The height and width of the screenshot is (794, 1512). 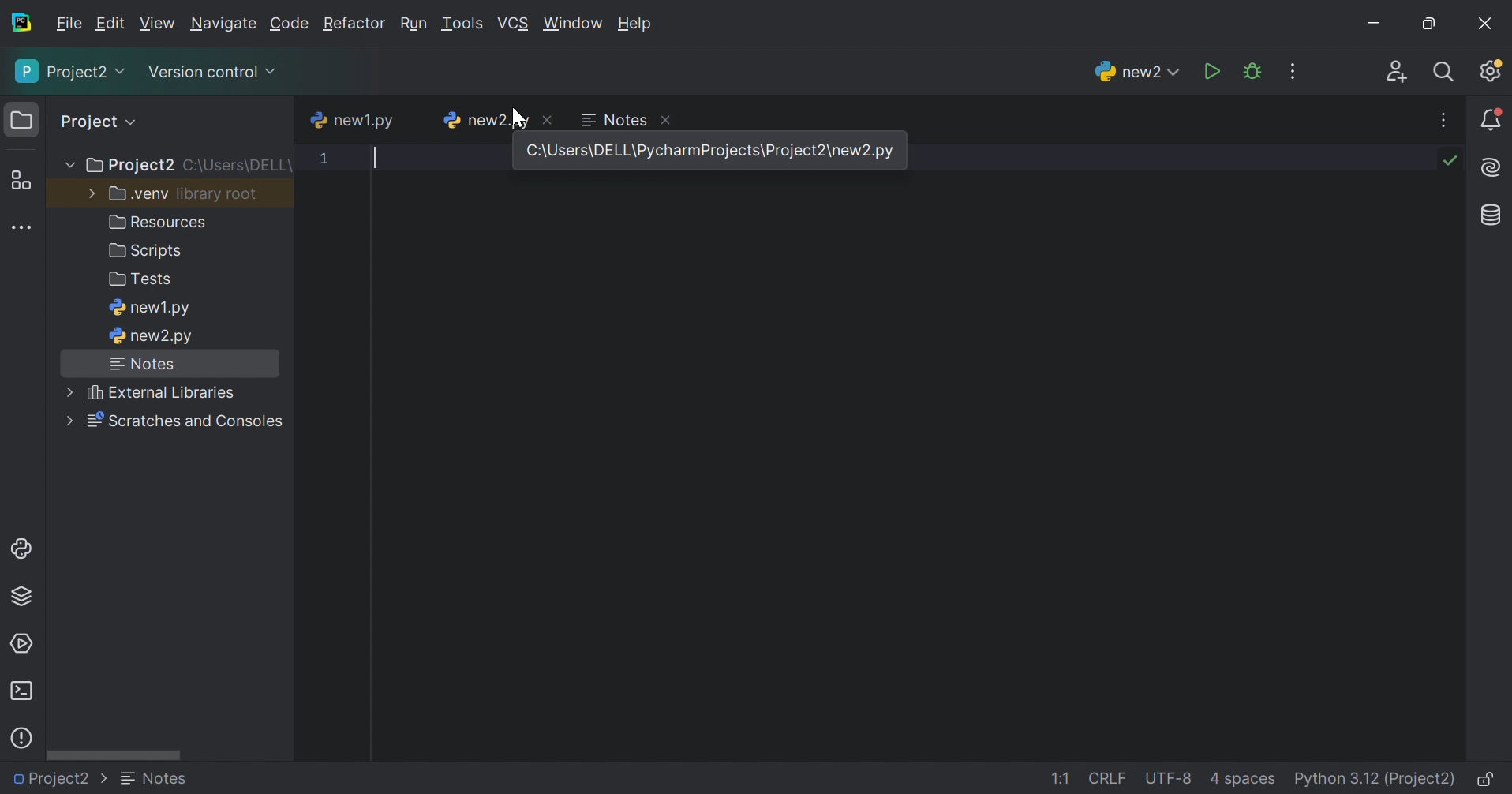 What do you see at coordinates (513, 23) in the screenshot?
I see `VCS` at bounding box center [513, 23].